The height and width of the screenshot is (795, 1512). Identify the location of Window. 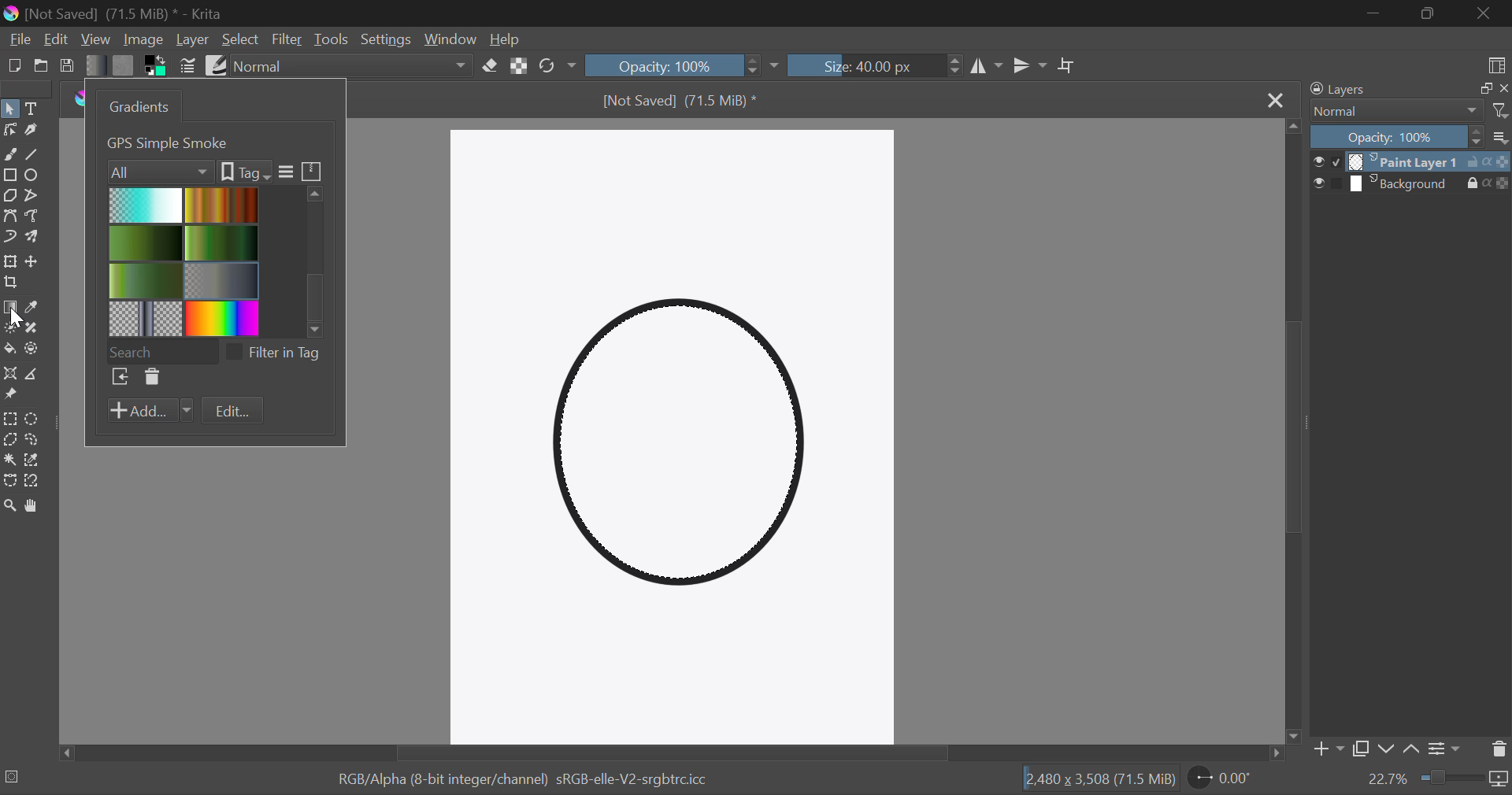
(452, 42).